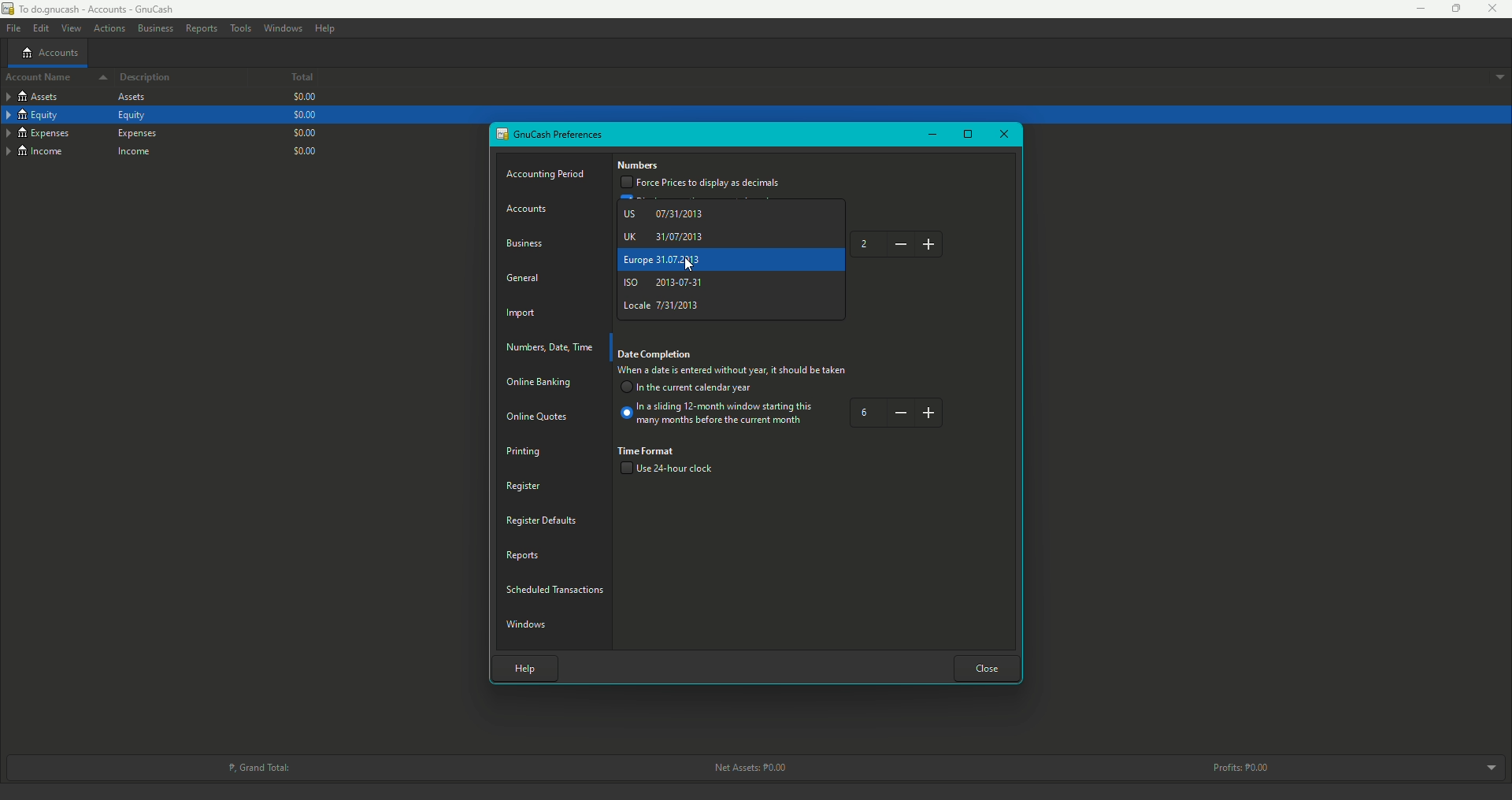 The image size is (1512, 800). What do you see at coordinates (522, 485) in the screenshot?
I see `Register` at bounding box center [522, 485].